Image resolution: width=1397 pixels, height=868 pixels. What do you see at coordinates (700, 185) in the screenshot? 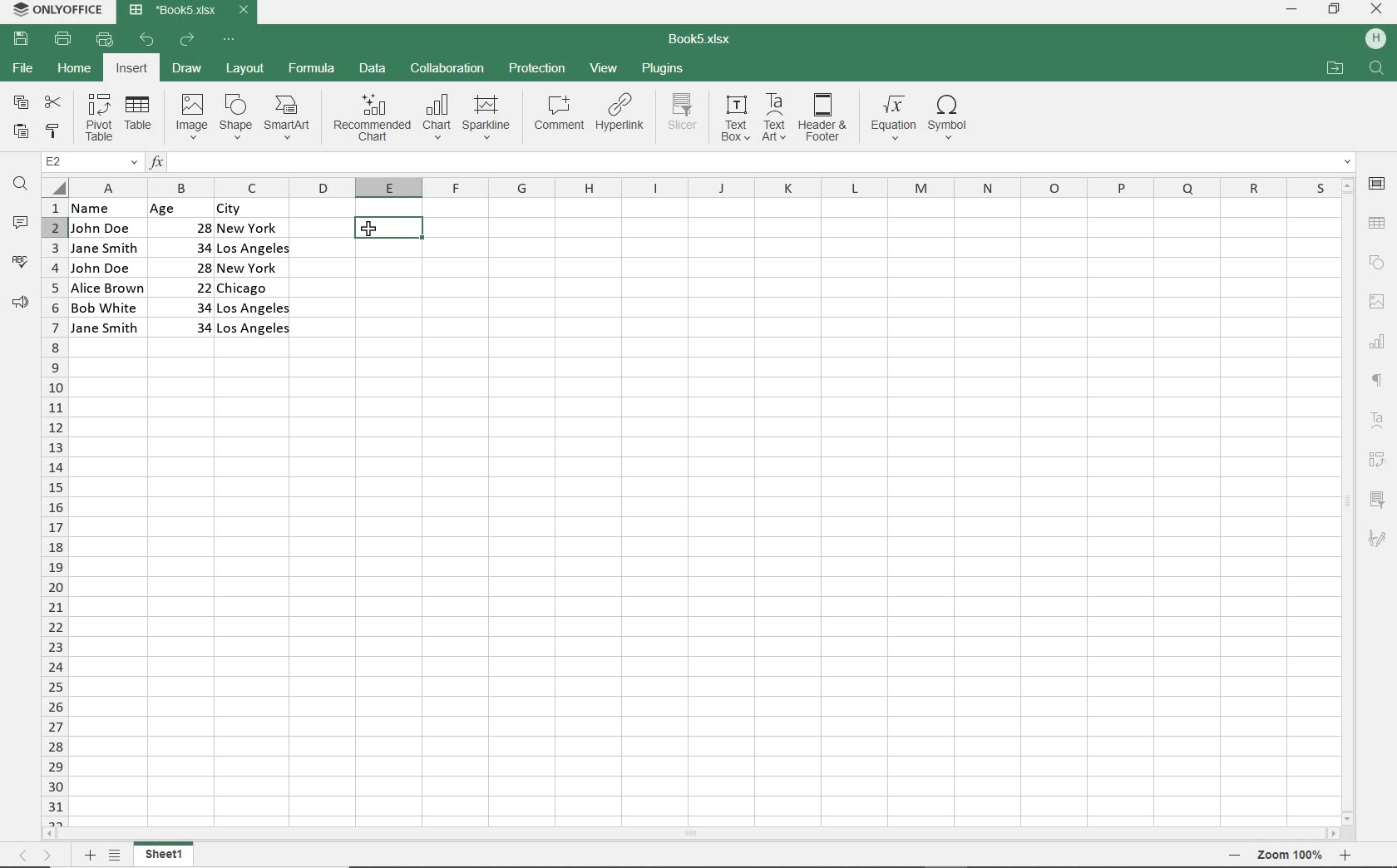
I see `COLUMNS` at bounding box center [700, 185].